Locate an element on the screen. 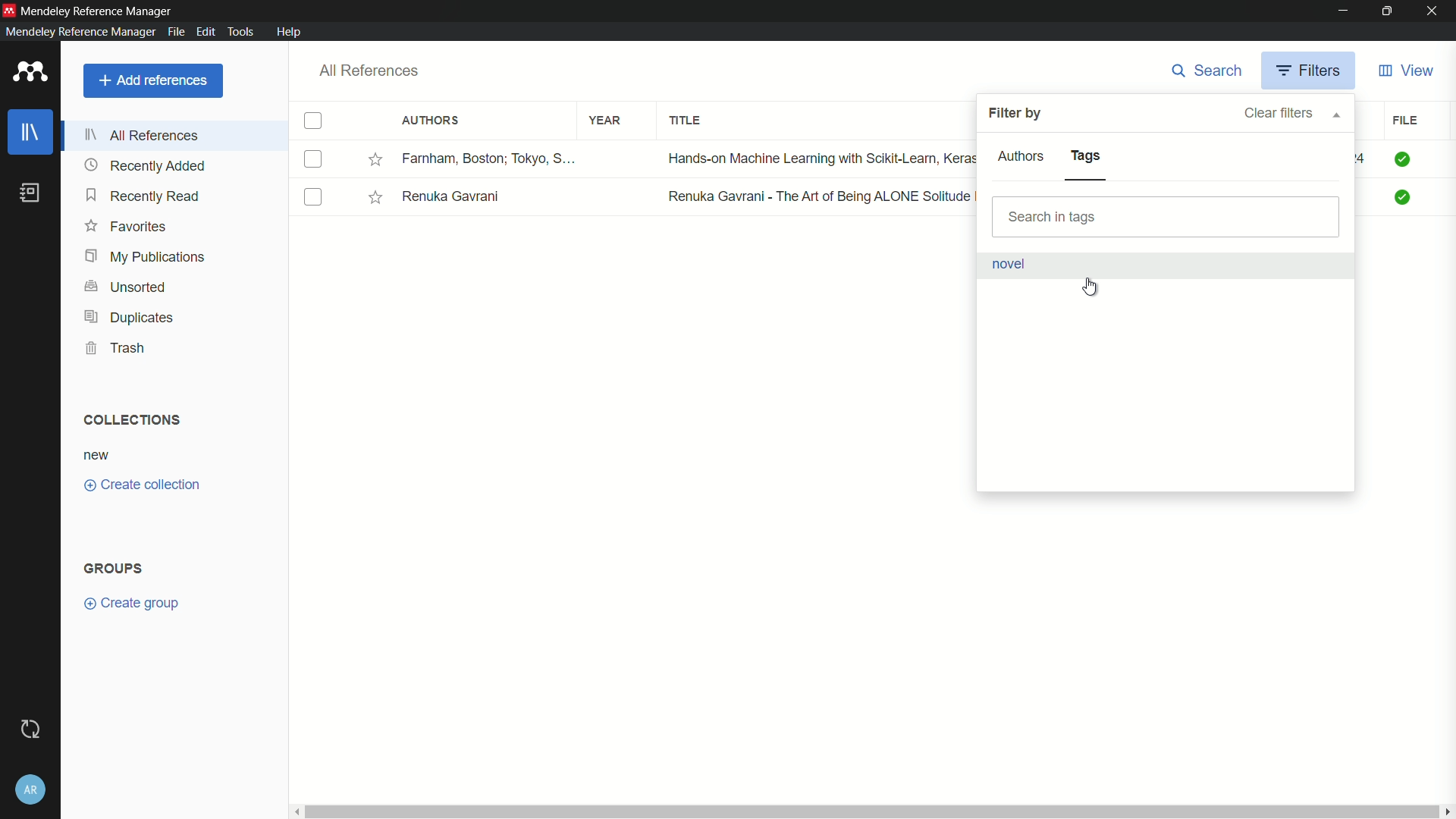 This screenshot has width=1456, height=819. Checkmarks is located at coordinates (1404, 159).